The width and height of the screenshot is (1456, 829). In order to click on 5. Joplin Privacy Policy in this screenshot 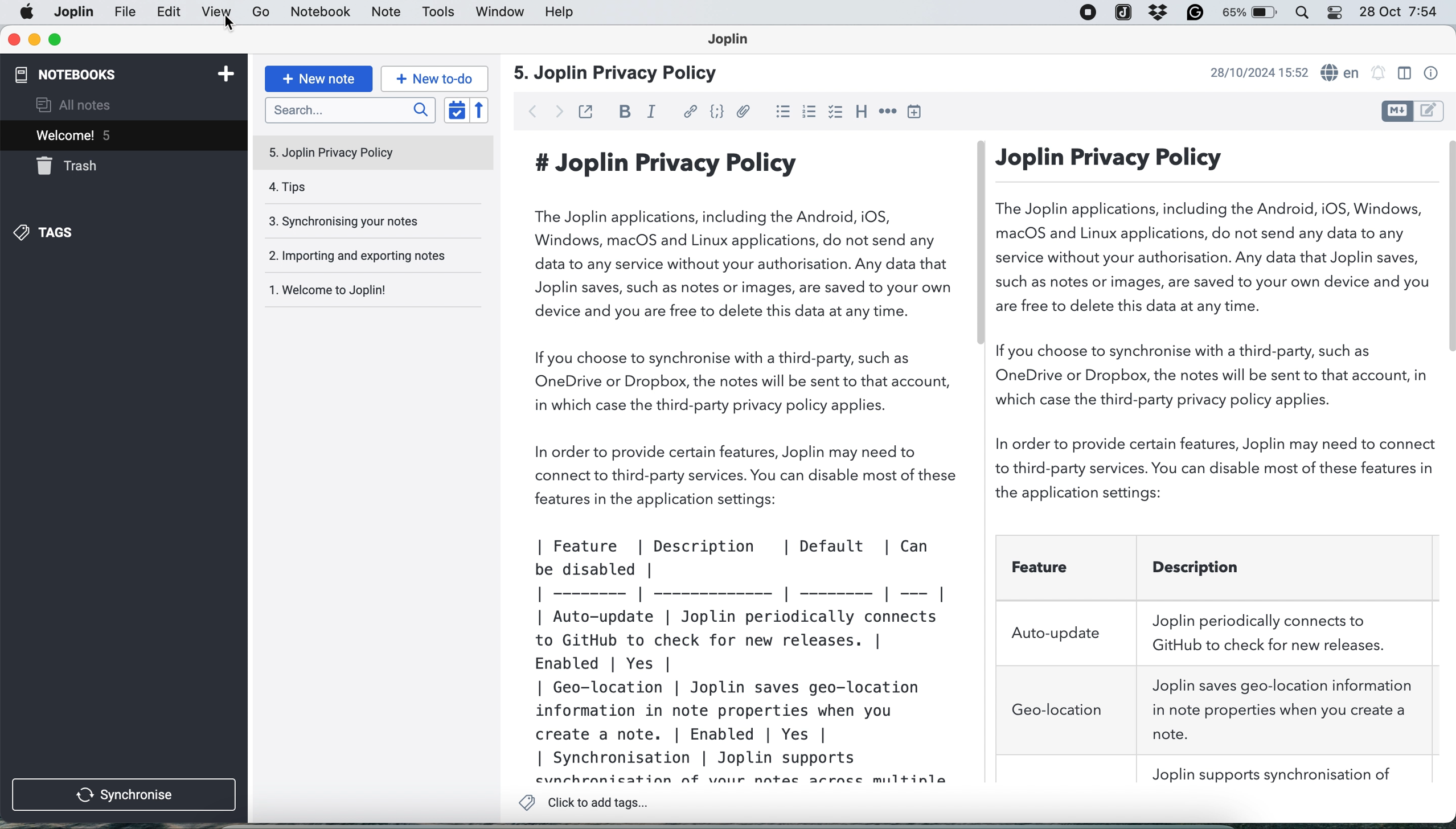, I will do `click(618, 75)`.